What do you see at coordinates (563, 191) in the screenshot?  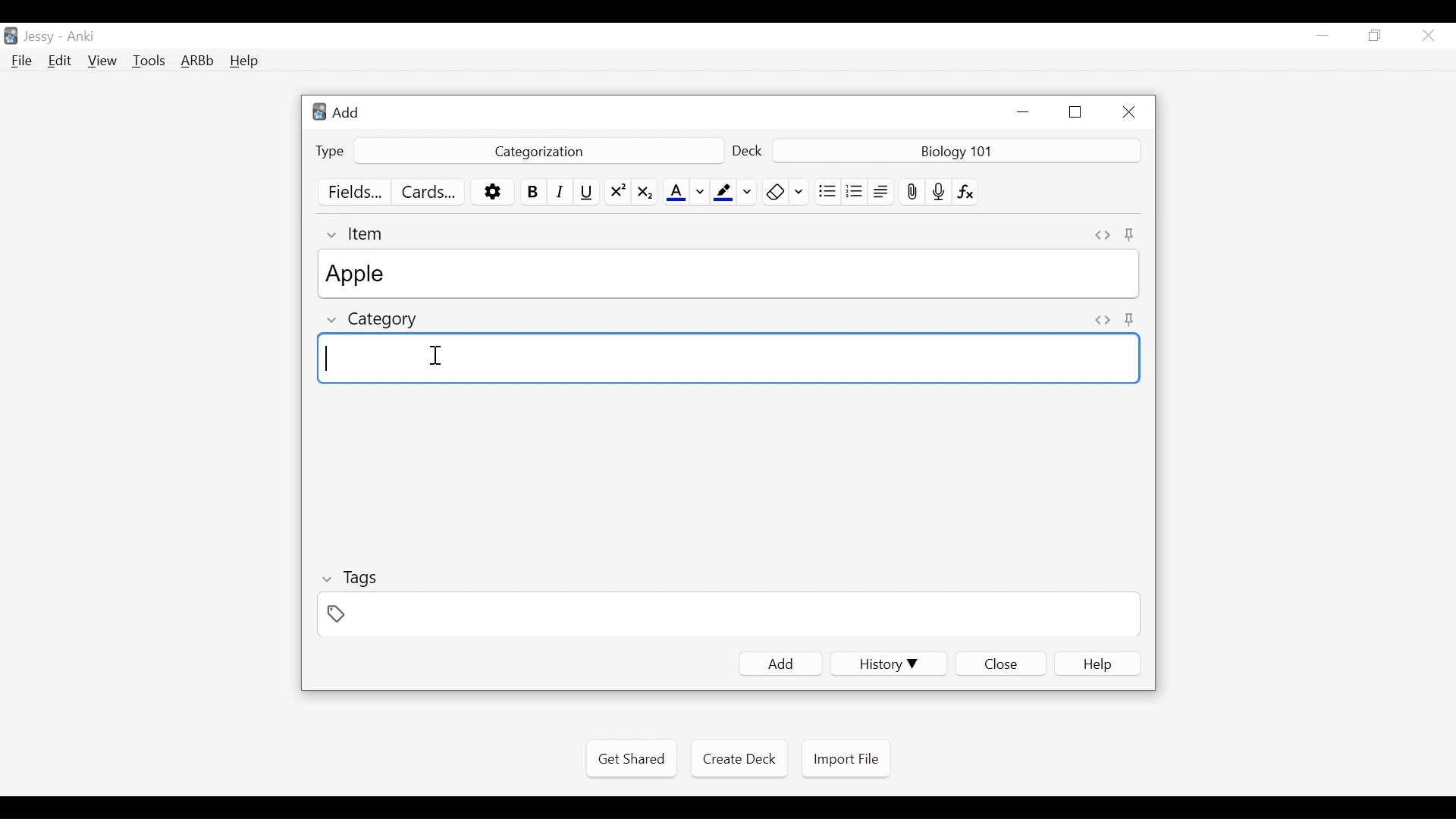 I see `Italics` at bounding box center [563, 191].